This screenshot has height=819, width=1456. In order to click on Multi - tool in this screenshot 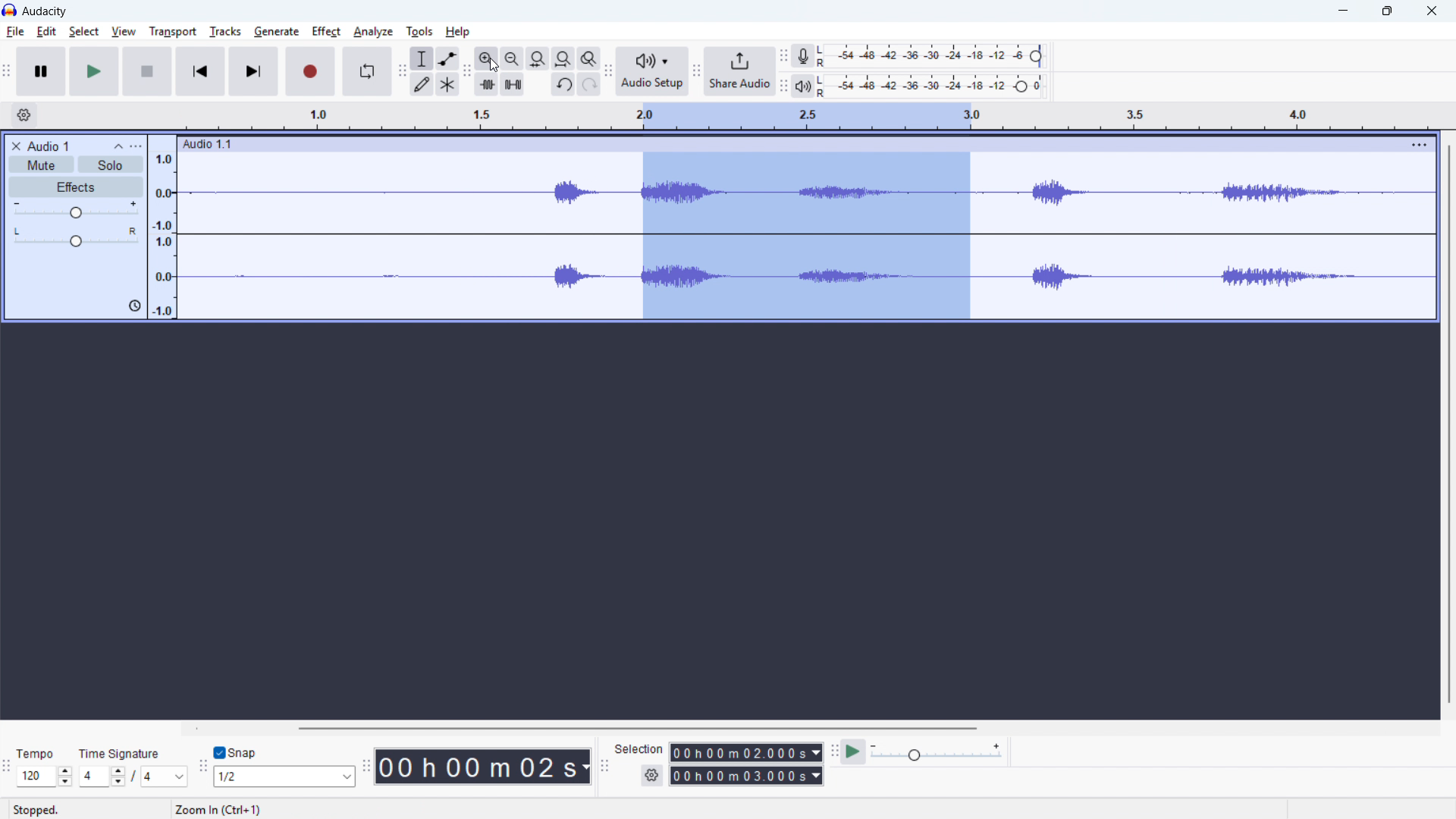, I will do `click(447, 84)`.